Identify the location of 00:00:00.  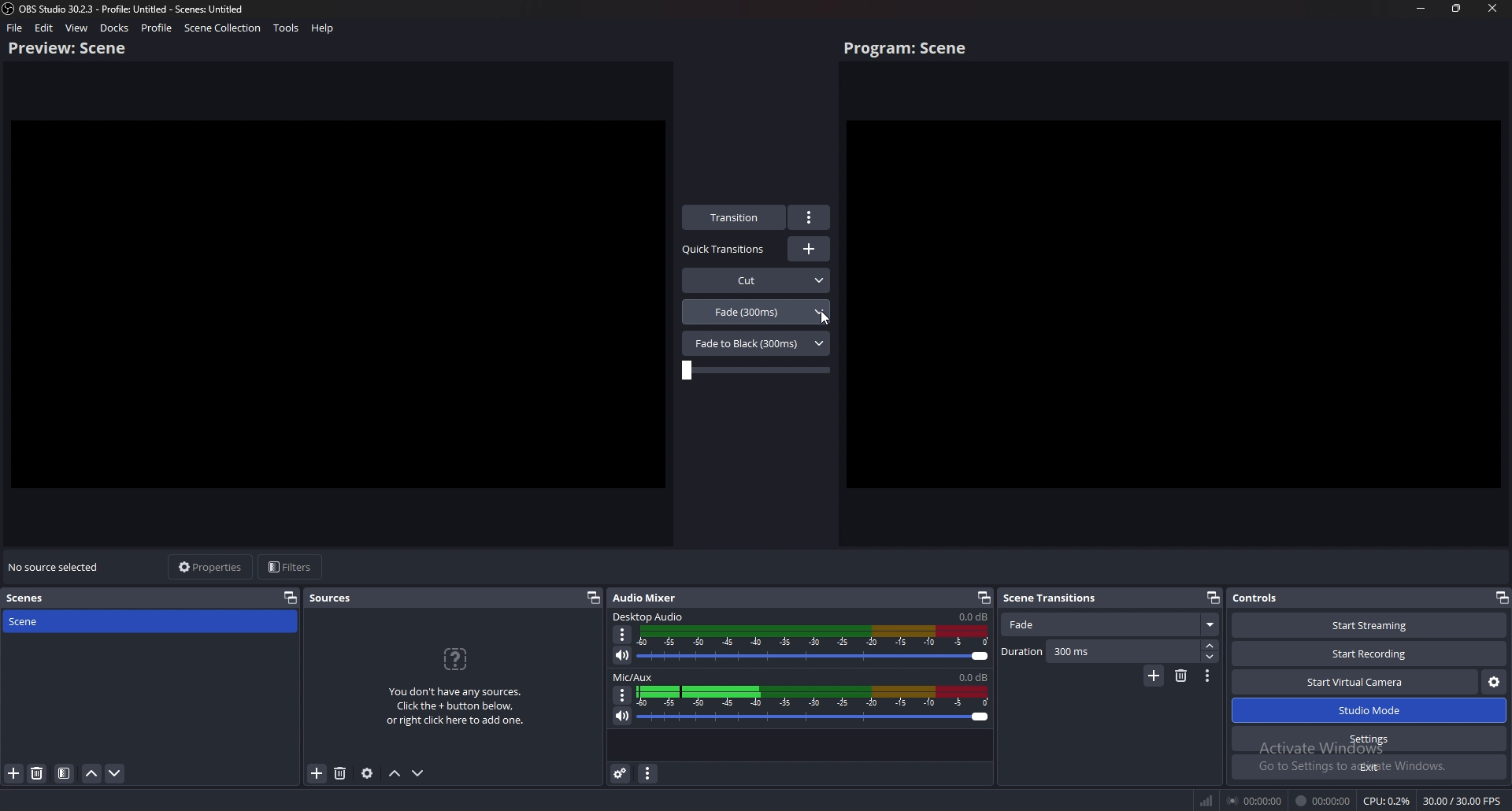
(1253, 802).